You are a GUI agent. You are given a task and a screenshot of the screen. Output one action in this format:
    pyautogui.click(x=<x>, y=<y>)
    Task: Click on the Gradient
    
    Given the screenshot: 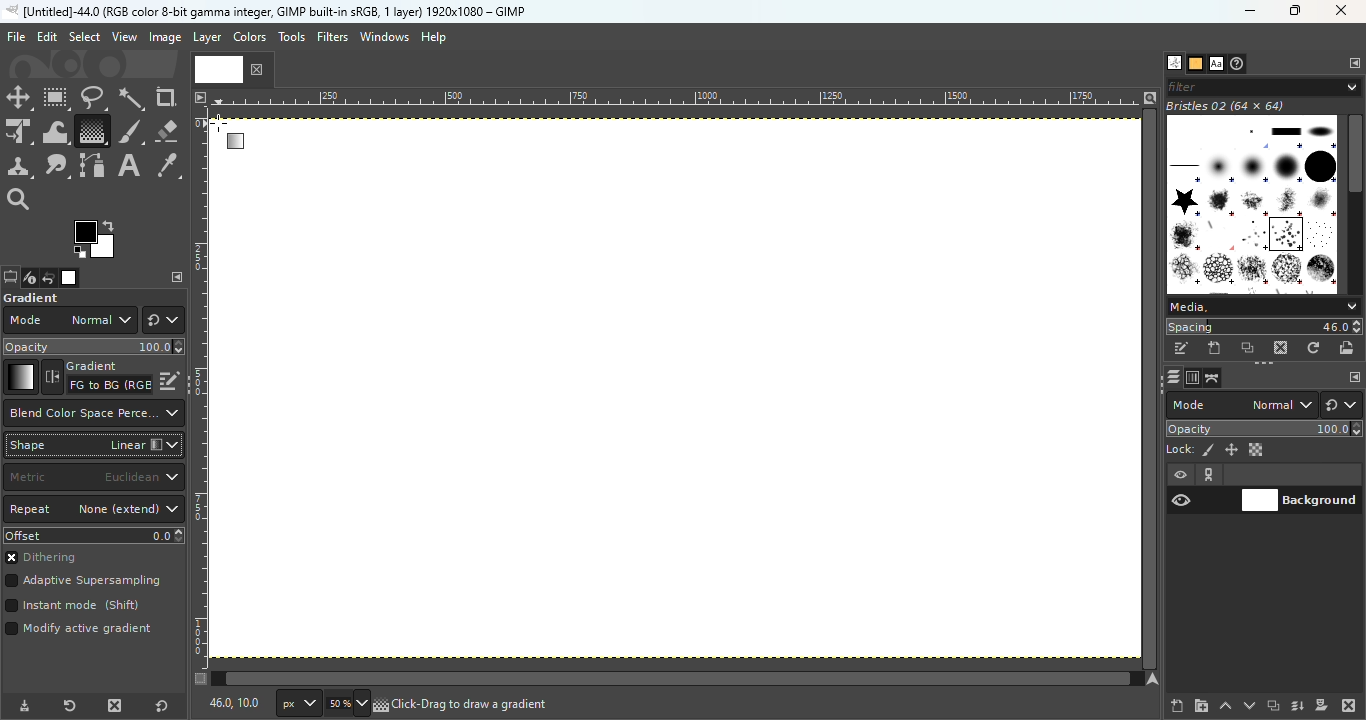 What is the action you would take?
    pyautogui.click(x=20, y=377)
    